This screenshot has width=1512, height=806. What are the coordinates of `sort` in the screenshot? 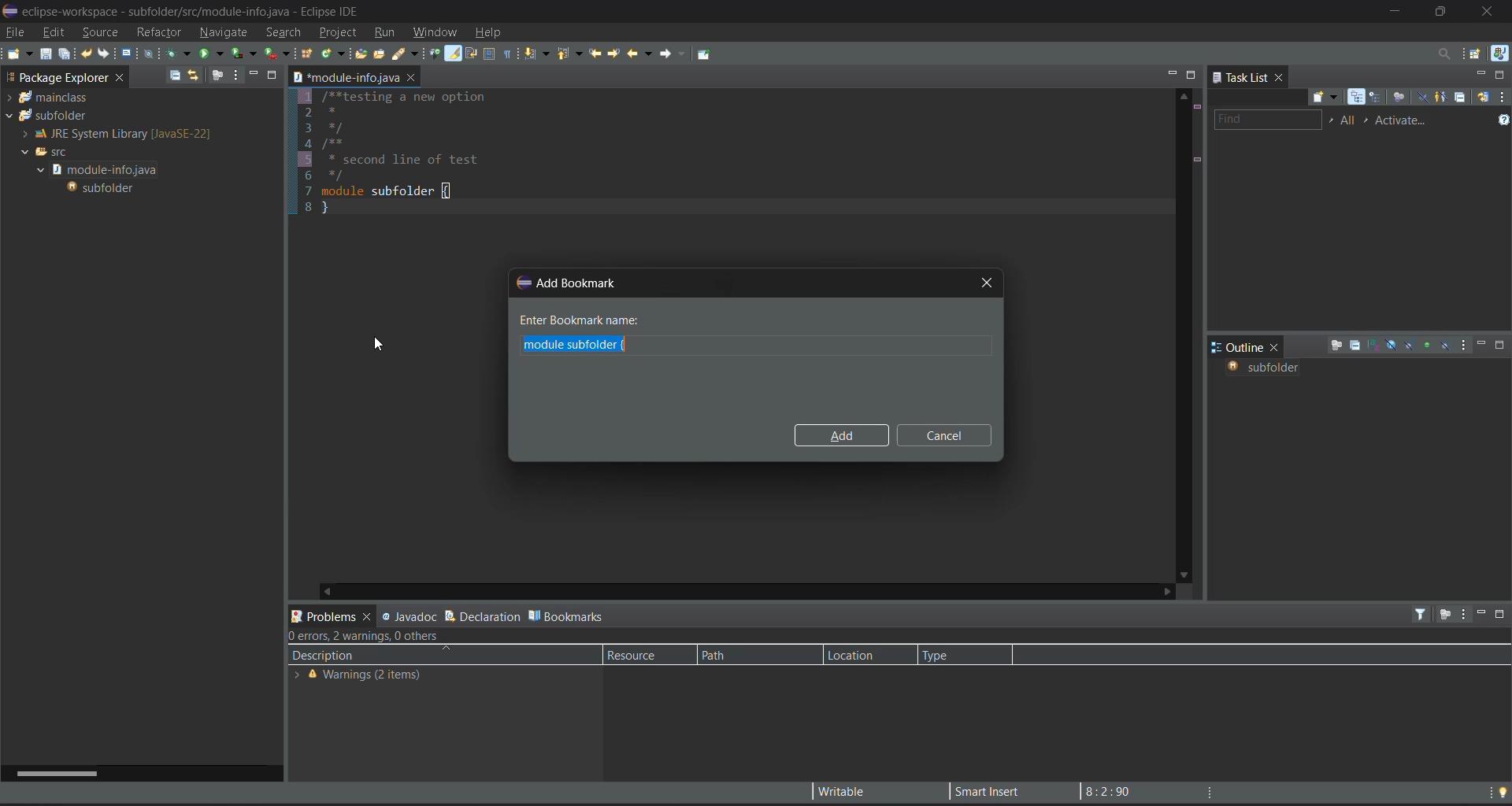 It's located at (1374, 345).